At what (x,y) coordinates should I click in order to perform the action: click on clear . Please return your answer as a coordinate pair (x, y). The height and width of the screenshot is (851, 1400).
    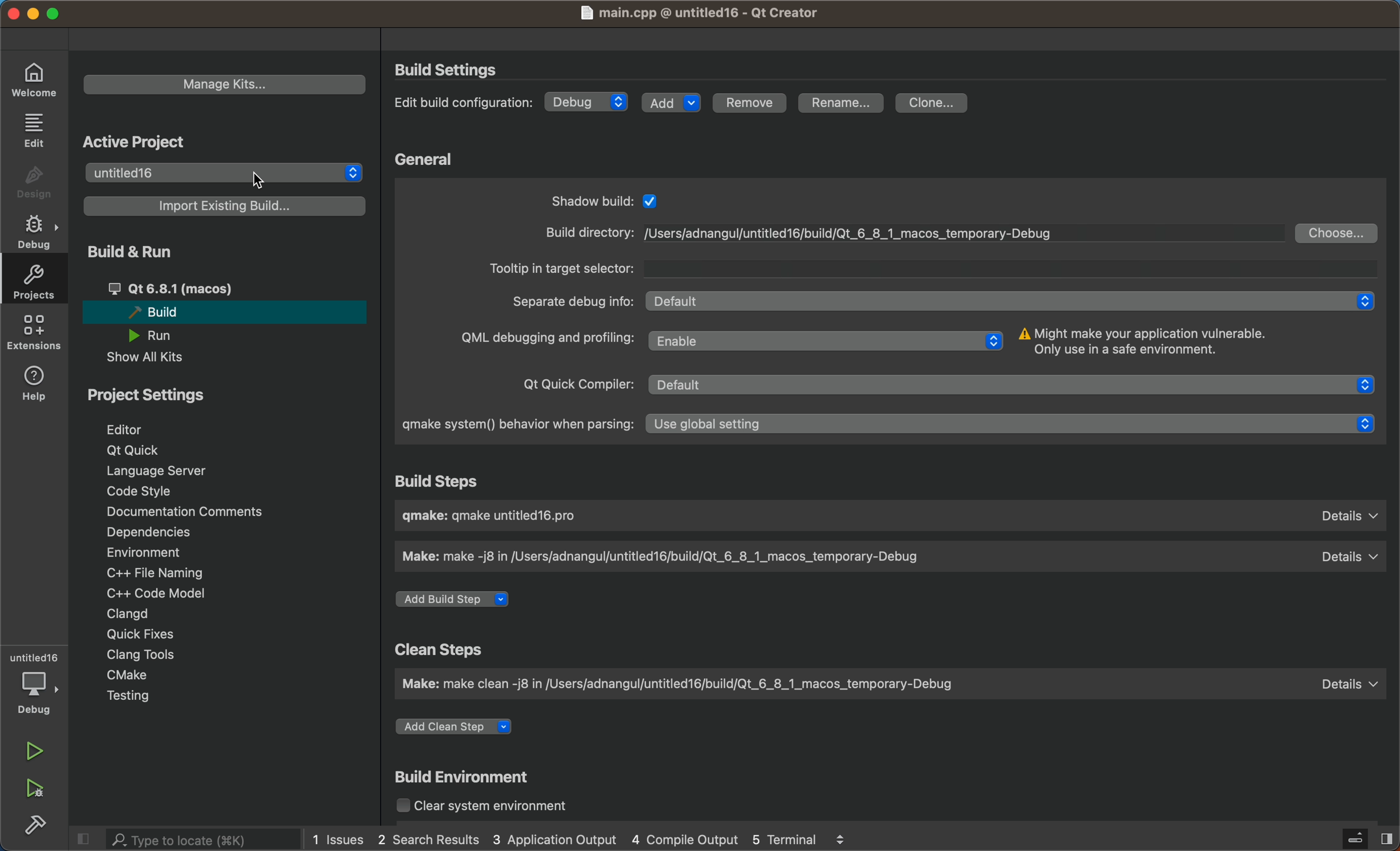
    Looking at the image, I should click on (486, 803).